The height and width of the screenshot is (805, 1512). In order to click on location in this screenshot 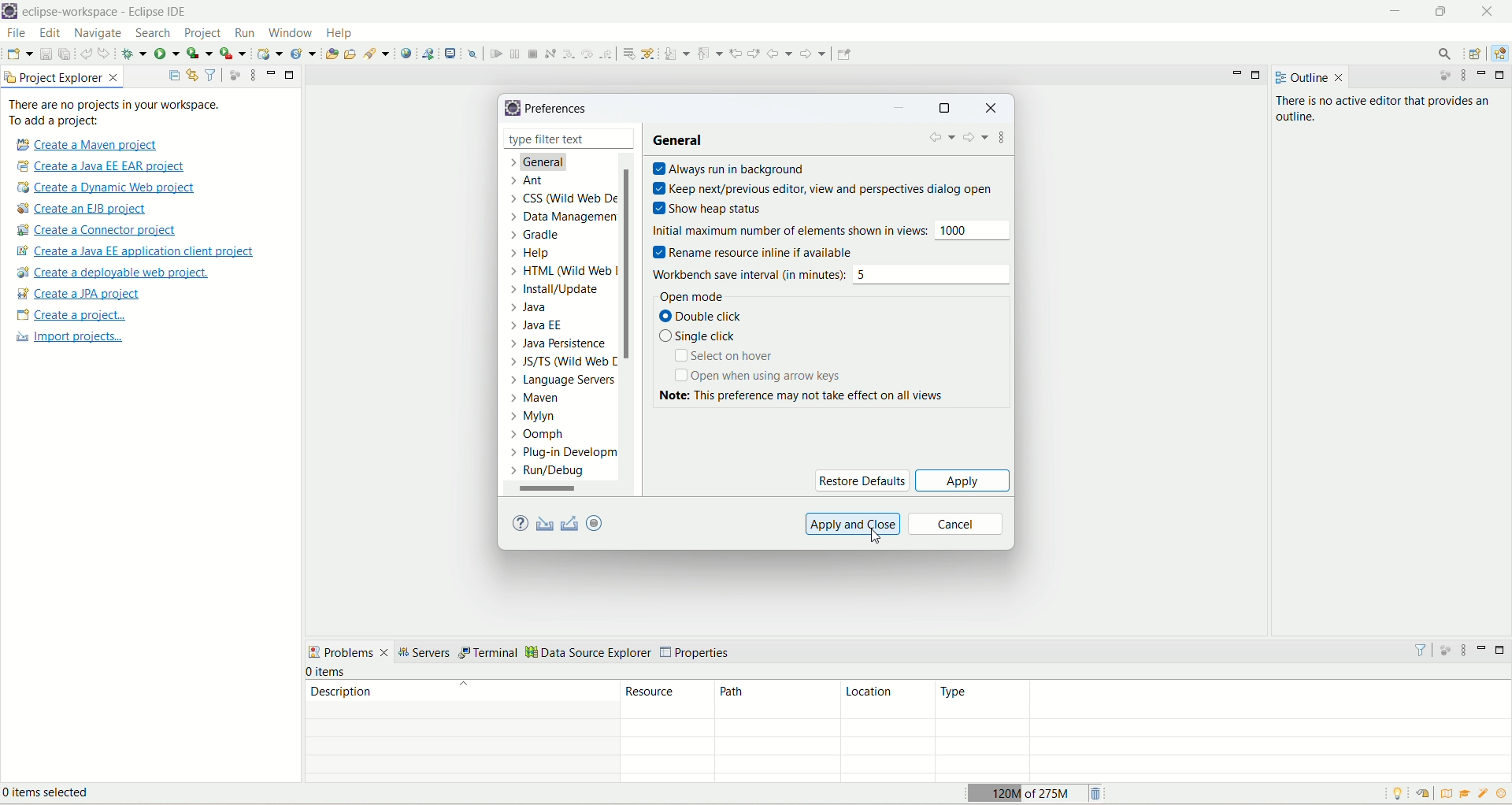, I will do `click(885, 700)`.